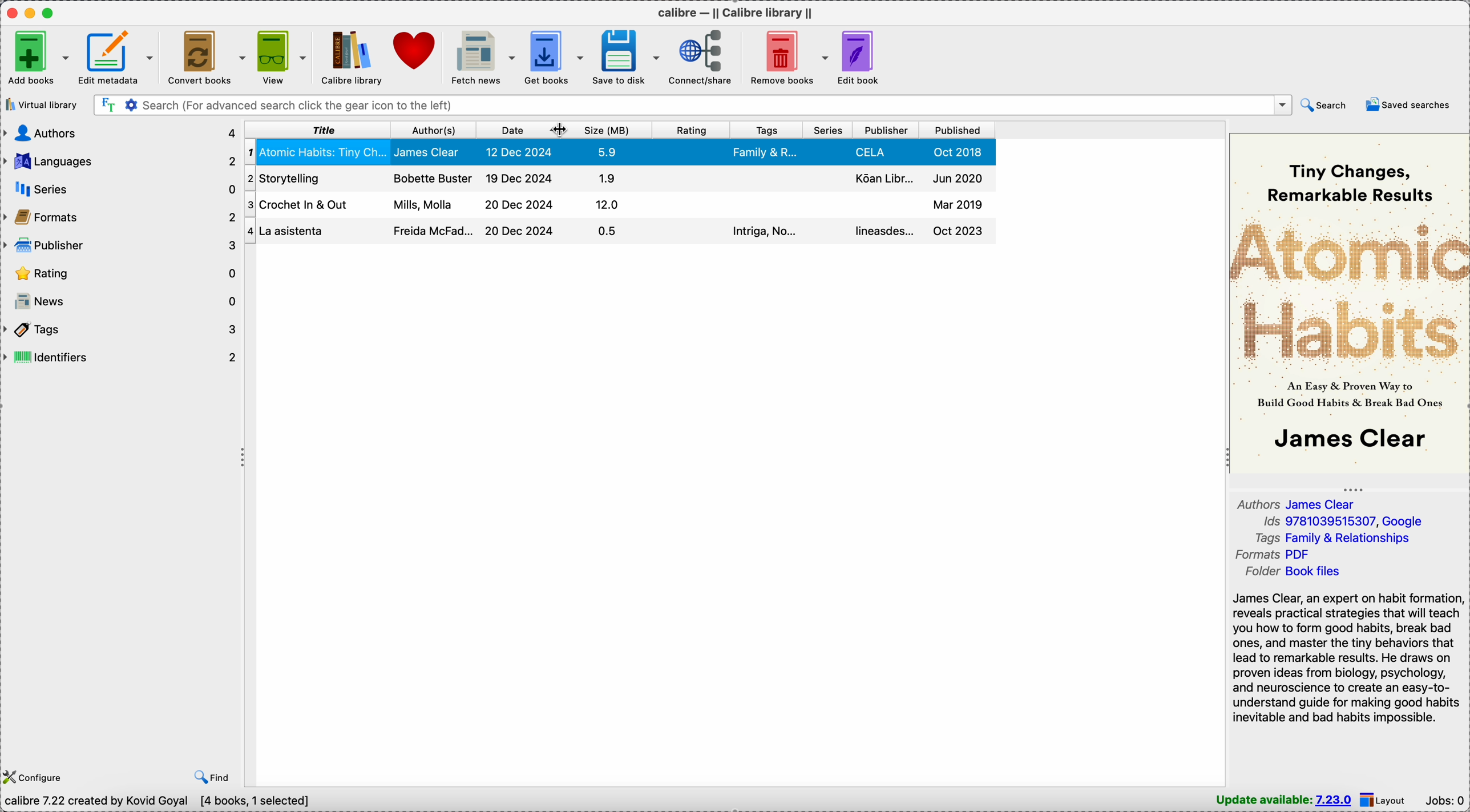 The image size is (1470, 812). Describe the element at coordinates (1295, 571) in the screenshot. I see `folder Book files` at that location.